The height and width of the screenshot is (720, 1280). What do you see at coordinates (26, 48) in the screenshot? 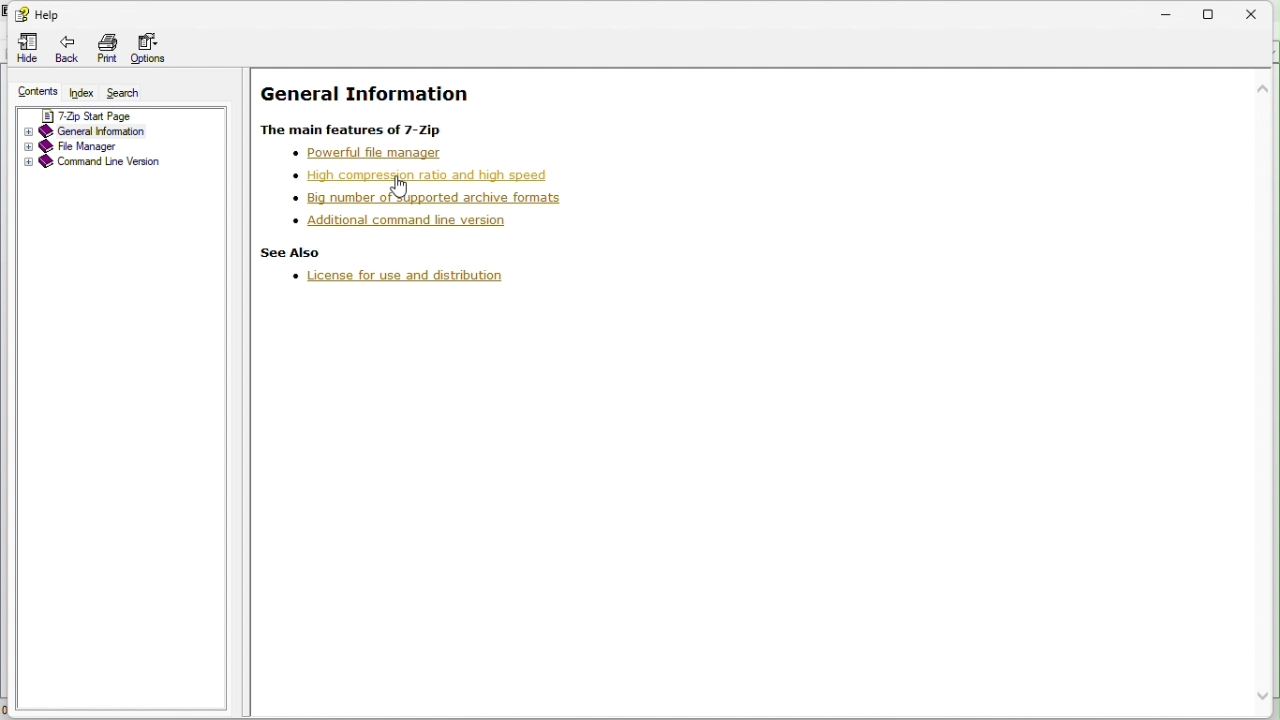
I see `Hide` at bounding box center [26, 48].